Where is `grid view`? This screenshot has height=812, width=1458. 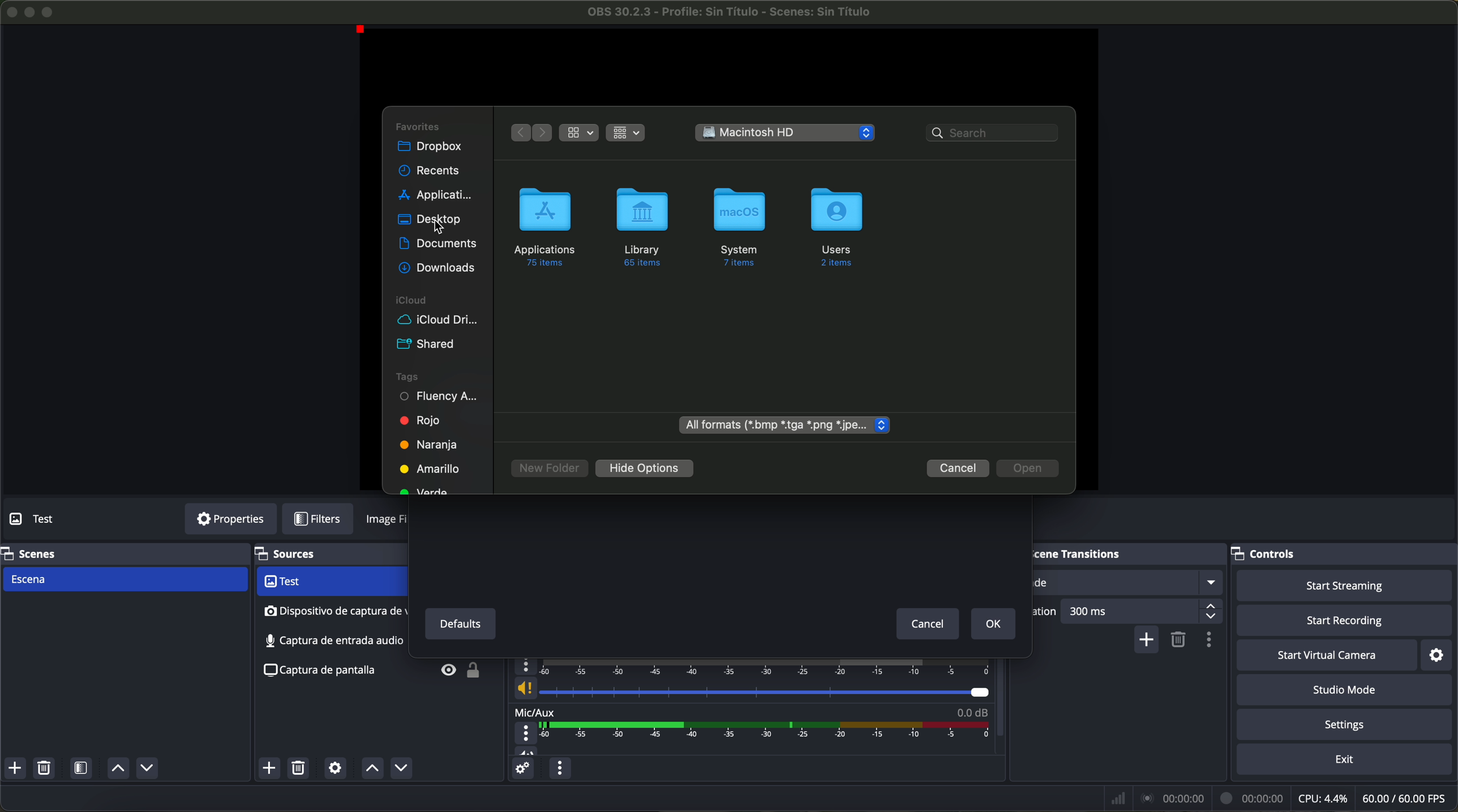
grid view is located at coordinates (579, 133).